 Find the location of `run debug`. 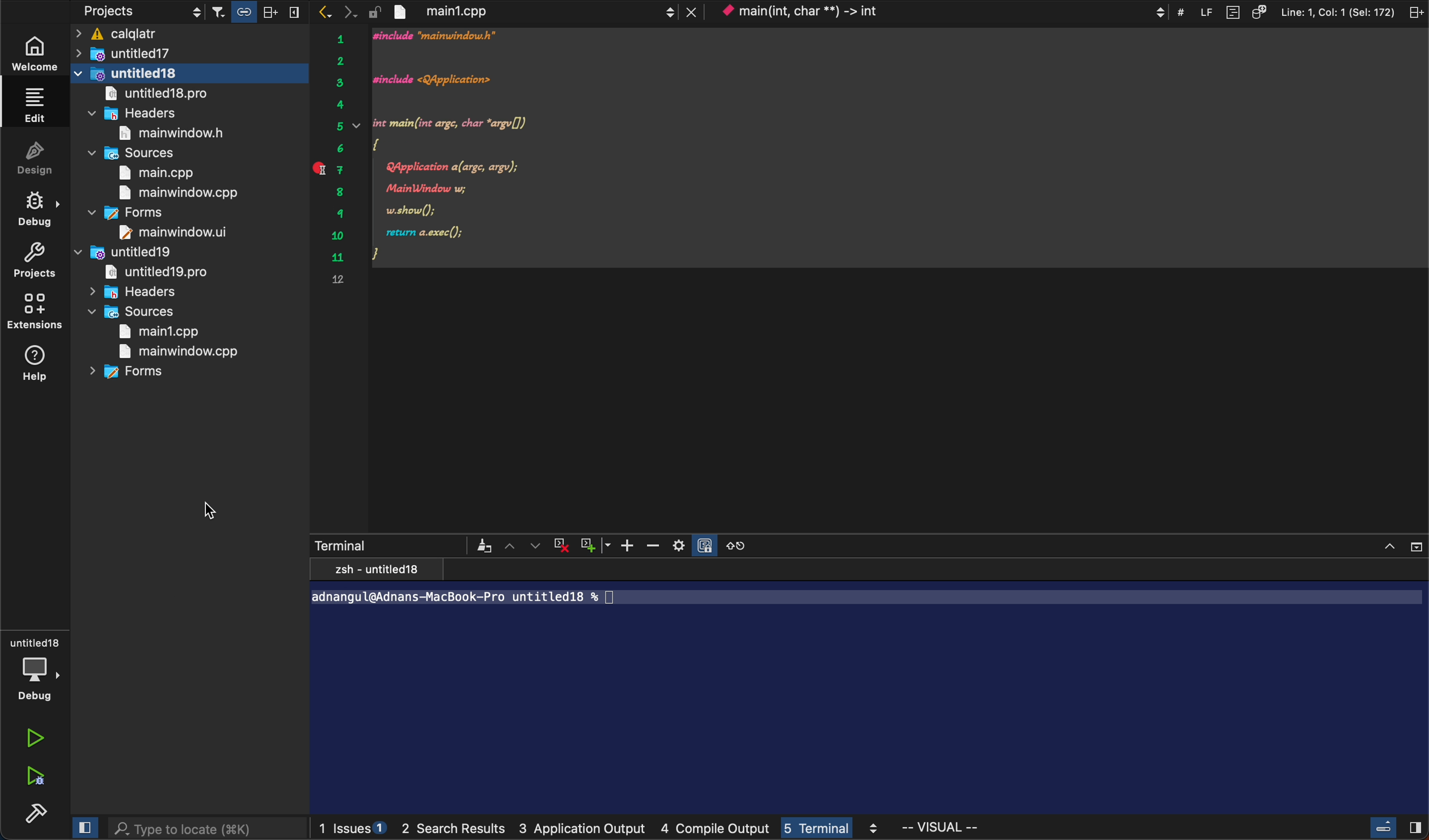

run debug is located at coordinates (32, 773).